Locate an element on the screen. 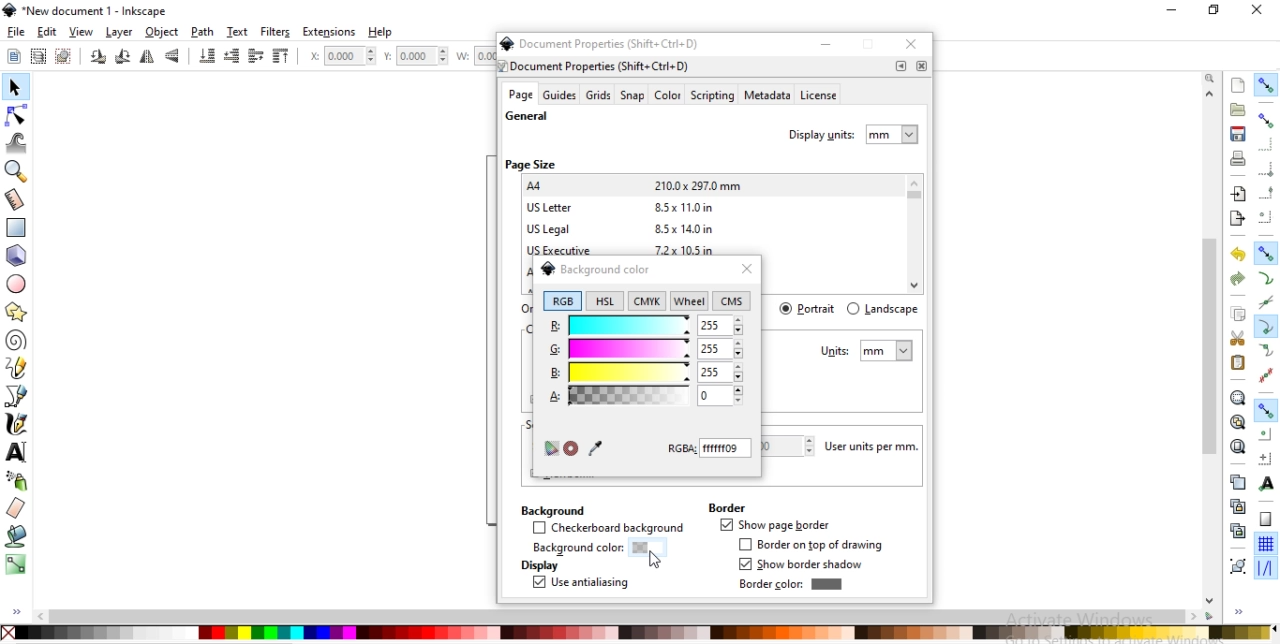 This screenshot has height=644, width=1280. b is located at coordinates (645, 372).